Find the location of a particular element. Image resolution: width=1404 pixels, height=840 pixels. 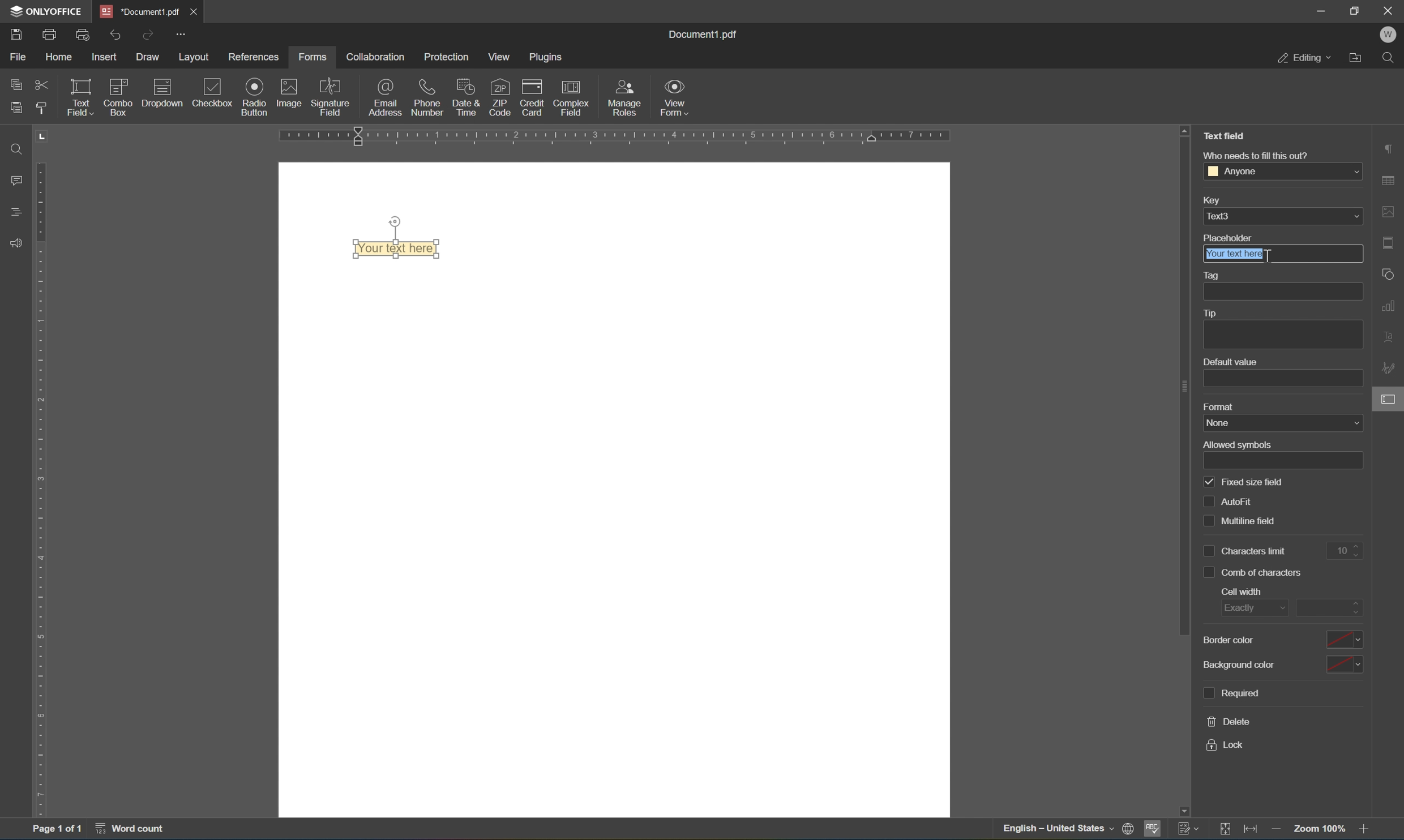

tip is located at coordinates (1217, 313).